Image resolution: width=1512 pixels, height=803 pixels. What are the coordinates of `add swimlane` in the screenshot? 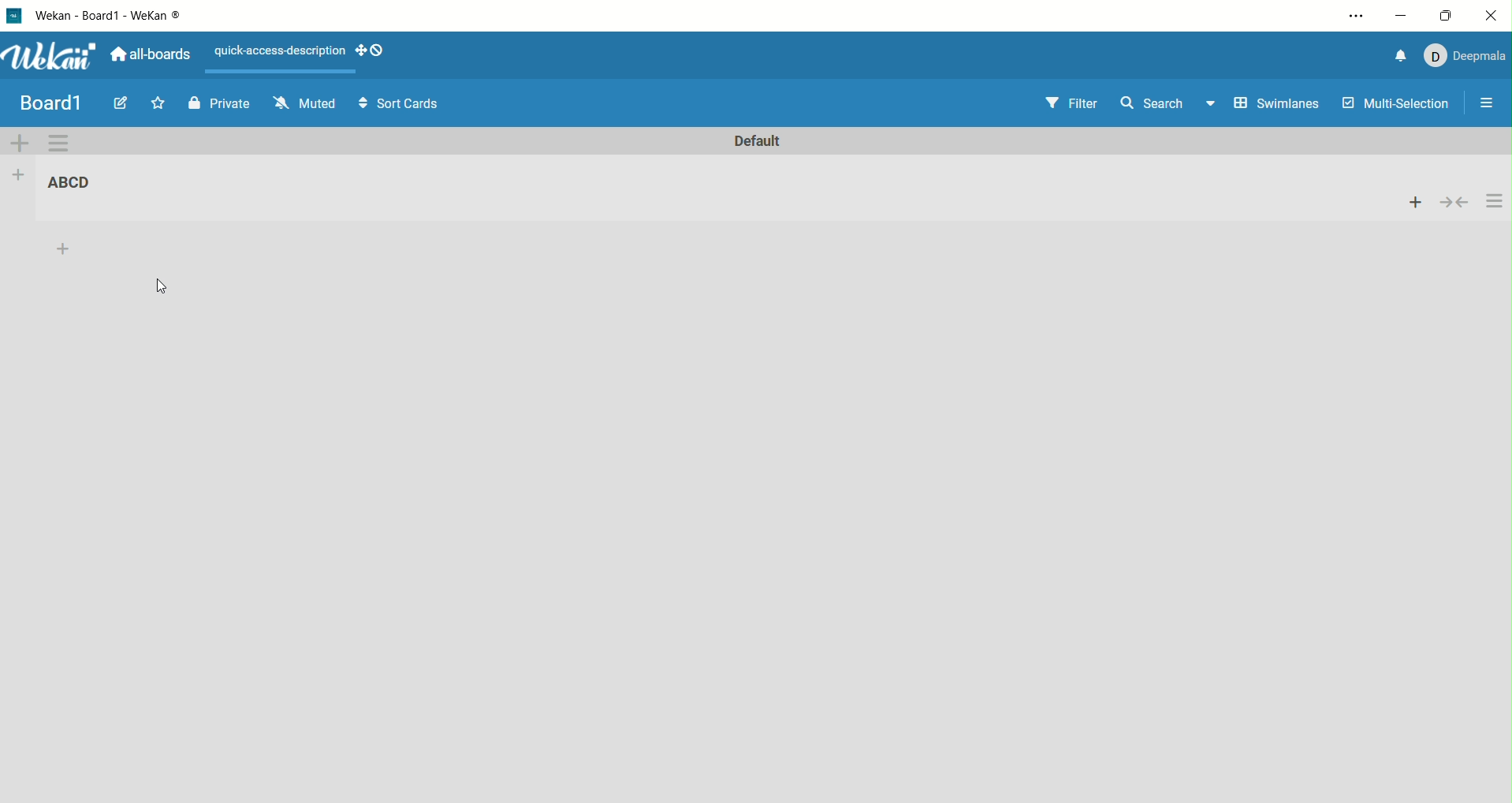 It's located at (20, 142).